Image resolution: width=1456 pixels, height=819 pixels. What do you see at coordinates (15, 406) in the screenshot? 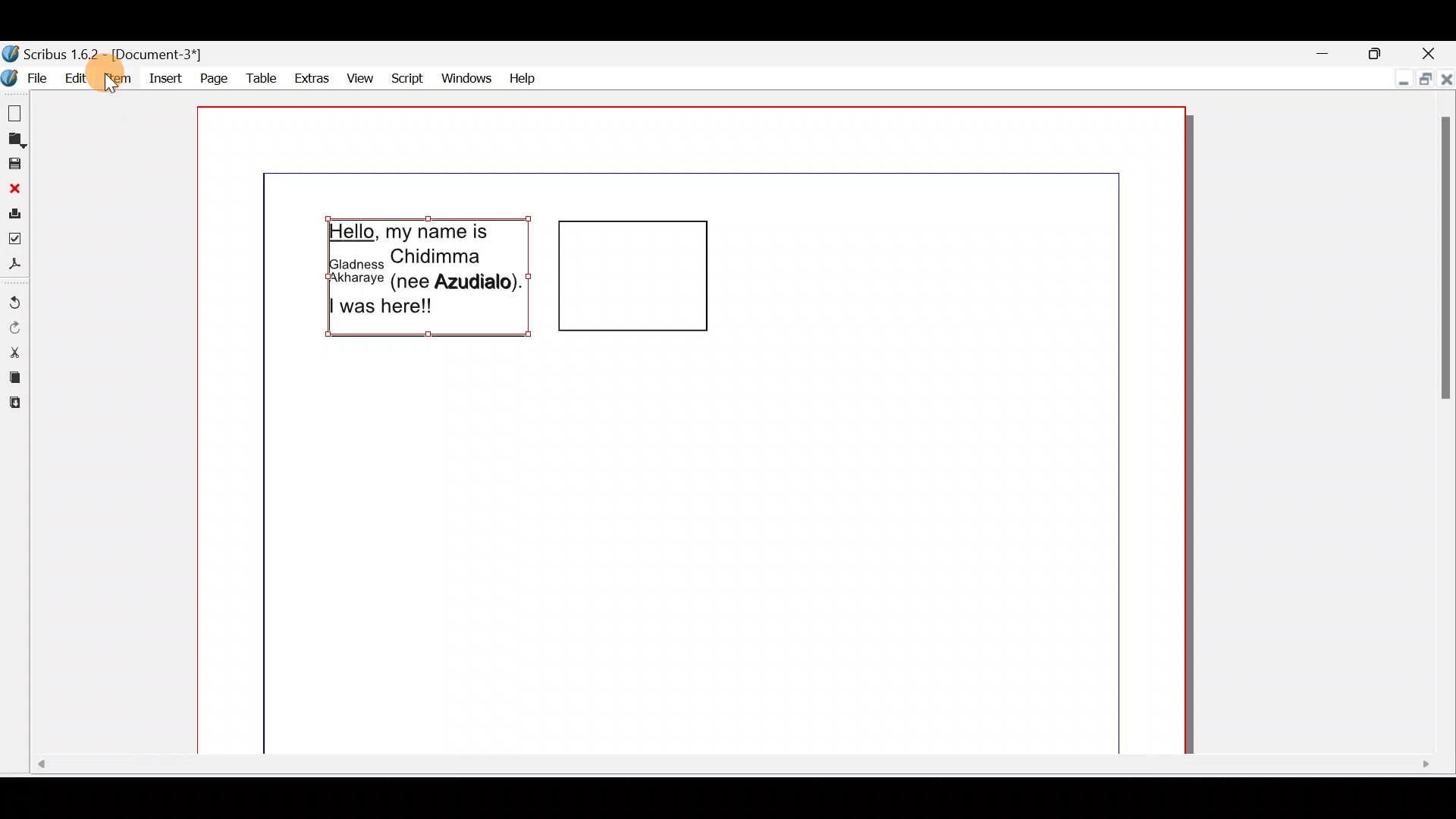
I see `Paste` at bounding box center [15, 406].